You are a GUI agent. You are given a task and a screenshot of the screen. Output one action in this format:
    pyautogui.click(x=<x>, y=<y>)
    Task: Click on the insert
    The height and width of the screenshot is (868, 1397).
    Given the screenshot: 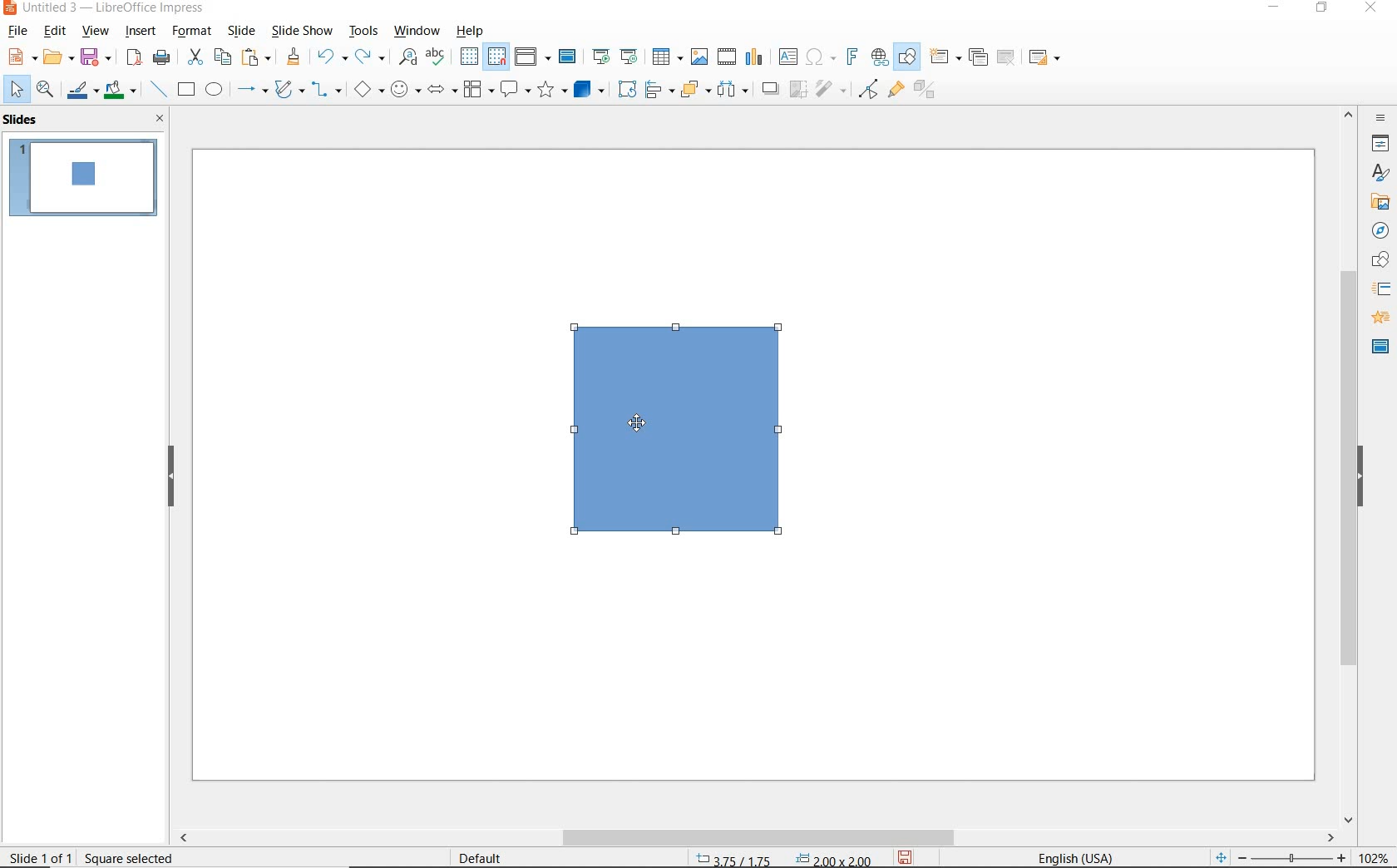 What is the action you would take?
    pyautogui.click(x=143, y=32)
    